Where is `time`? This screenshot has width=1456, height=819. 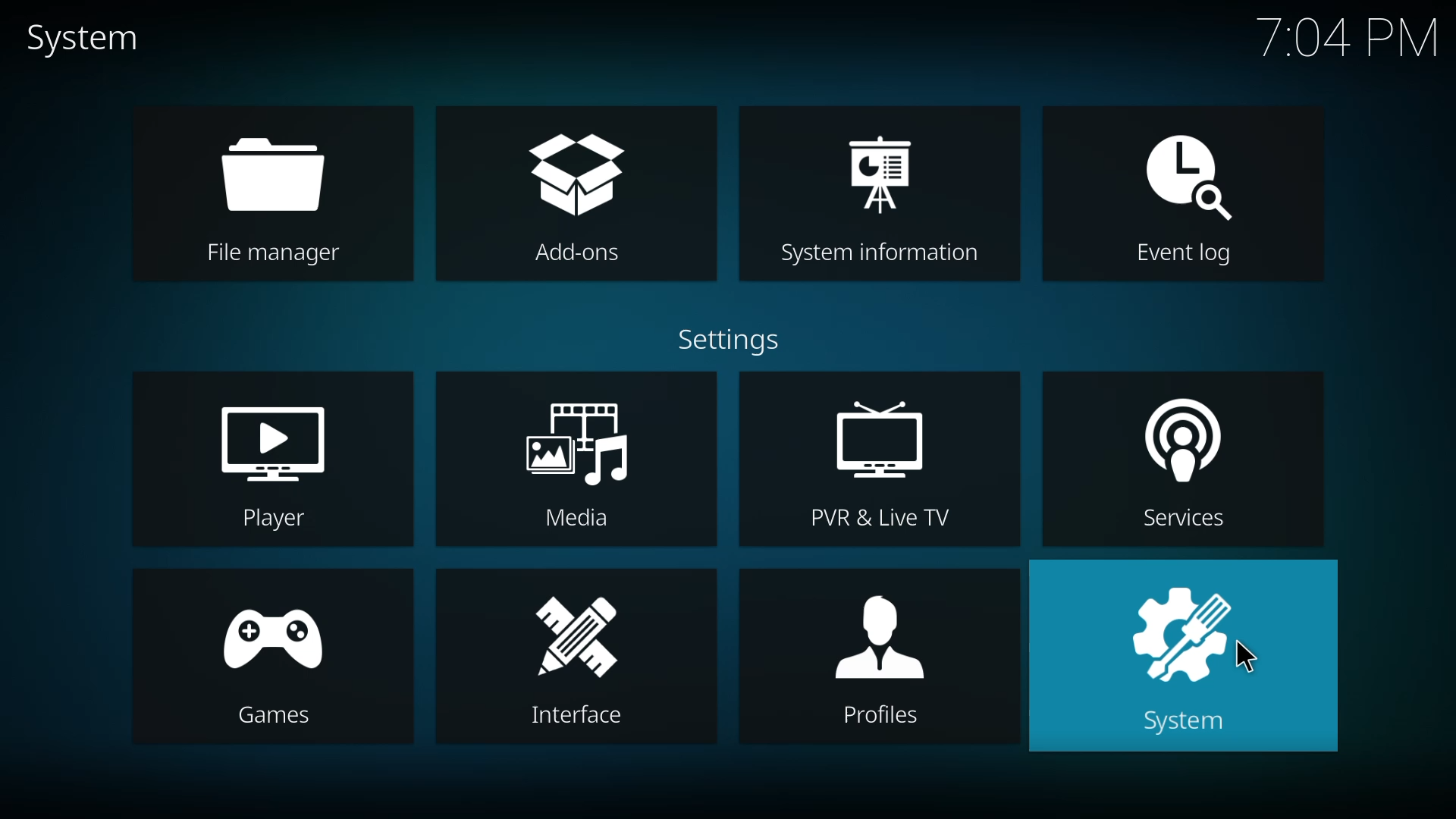
time is located at coordinates (1348, 38).